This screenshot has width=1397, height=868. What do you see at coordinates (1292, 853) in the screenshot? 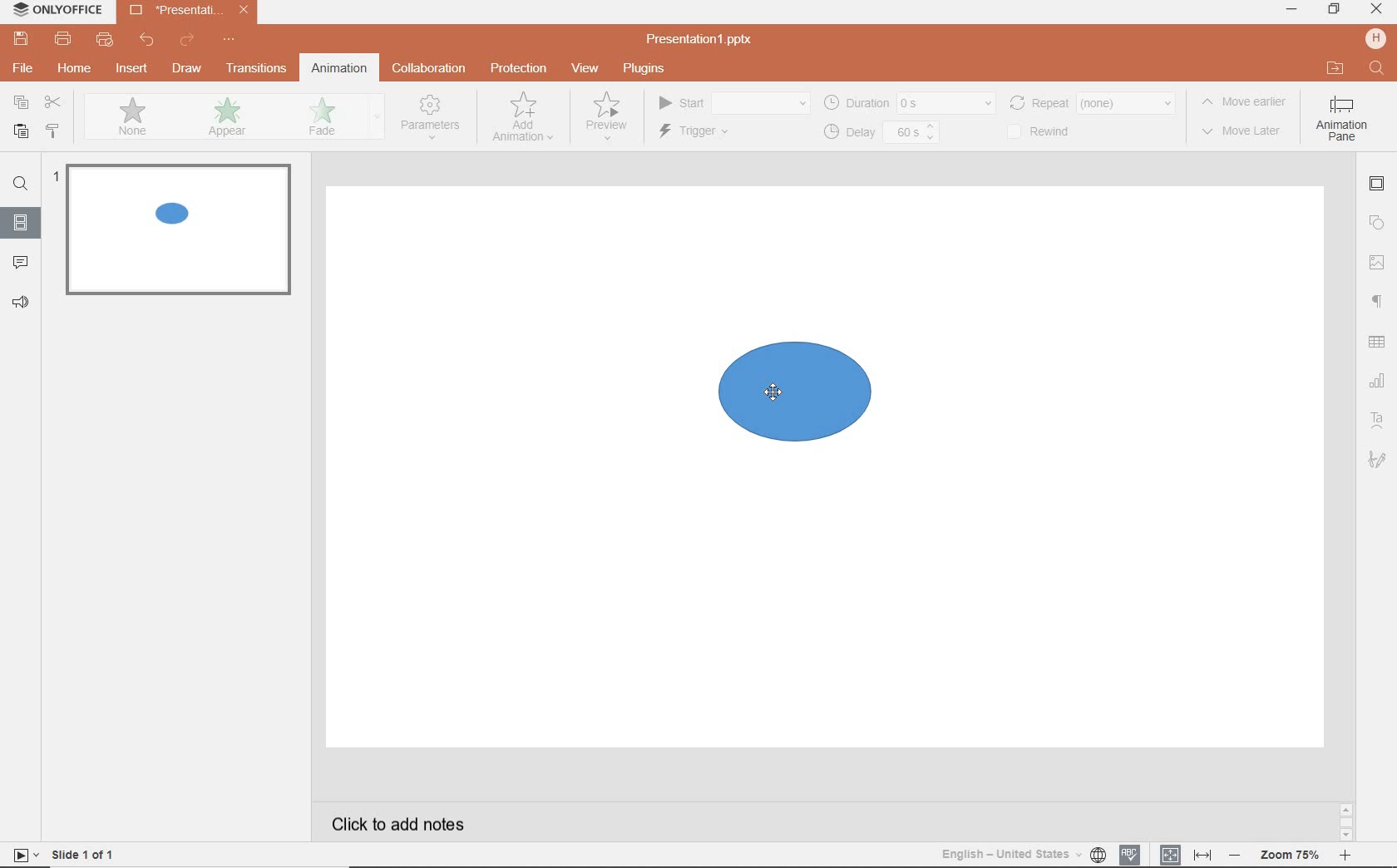
I see `zoom` at bounding box center [1292, 853].